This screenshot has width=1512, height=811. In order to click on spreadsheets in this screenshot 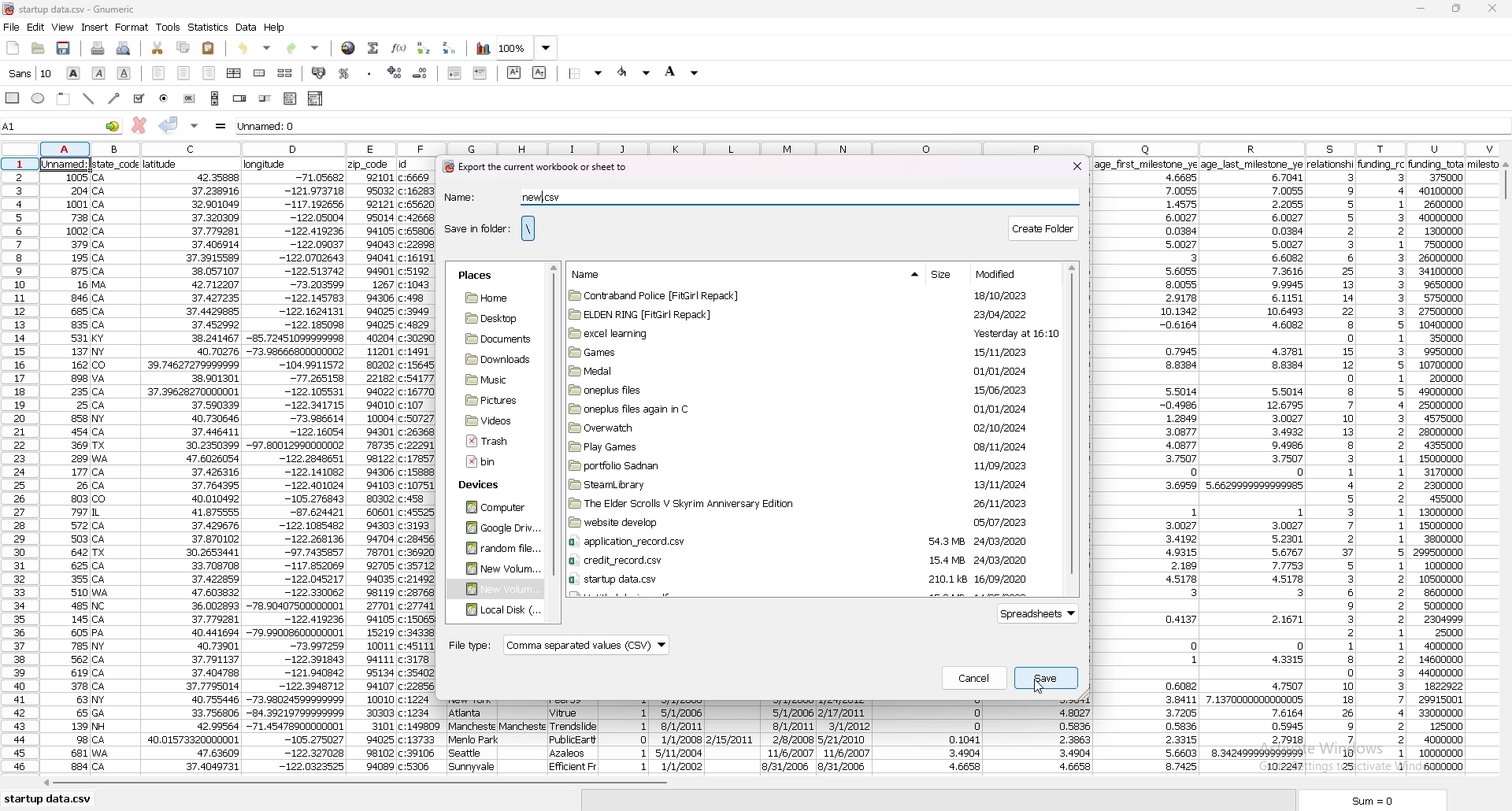, I will do `click(1040, 614)`.